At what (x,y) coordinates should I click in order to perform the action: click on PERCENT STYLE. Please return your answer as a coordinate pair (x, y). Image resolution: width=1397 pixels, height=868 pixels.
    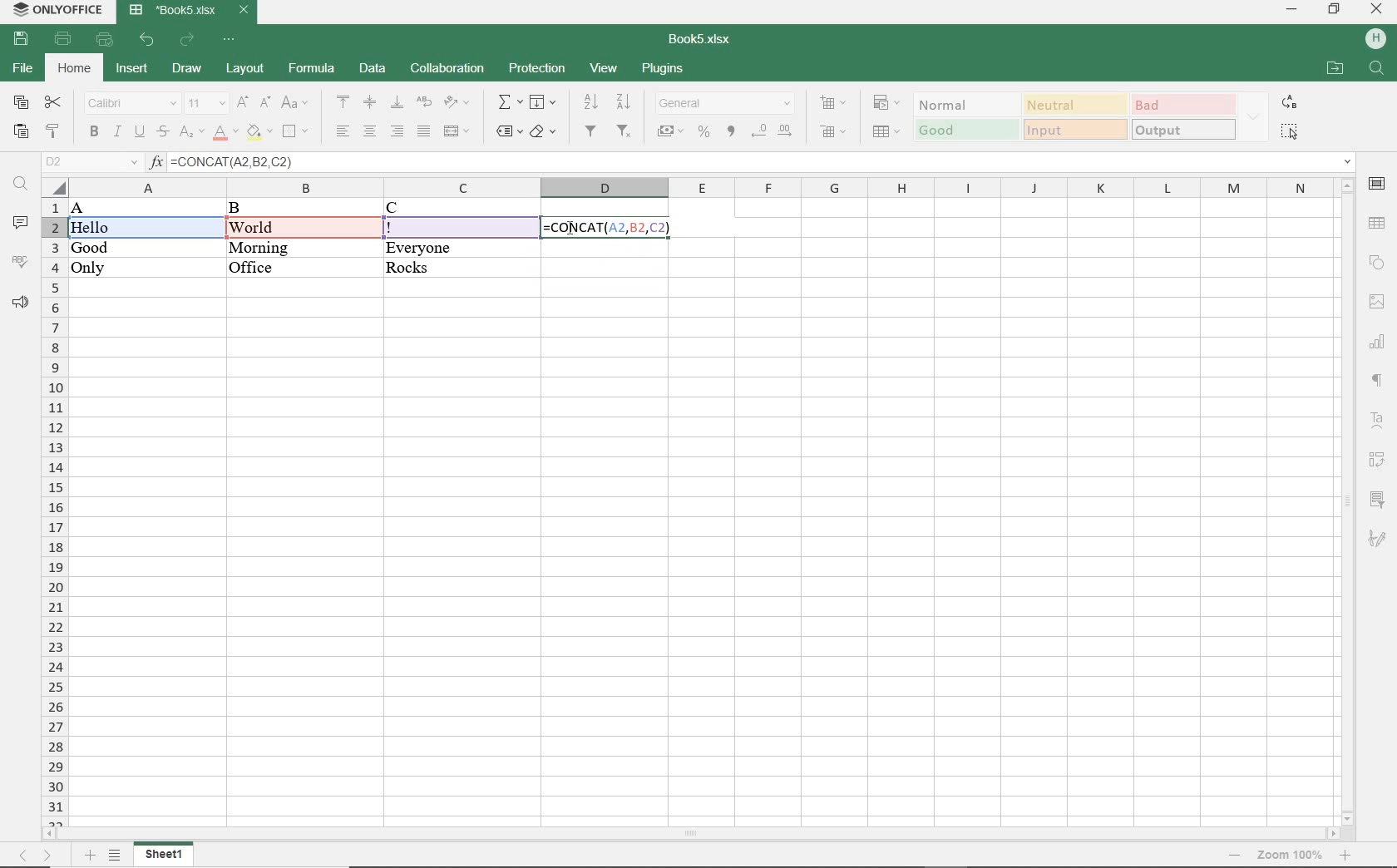
    Looking at the image, I should click on (705, 133).